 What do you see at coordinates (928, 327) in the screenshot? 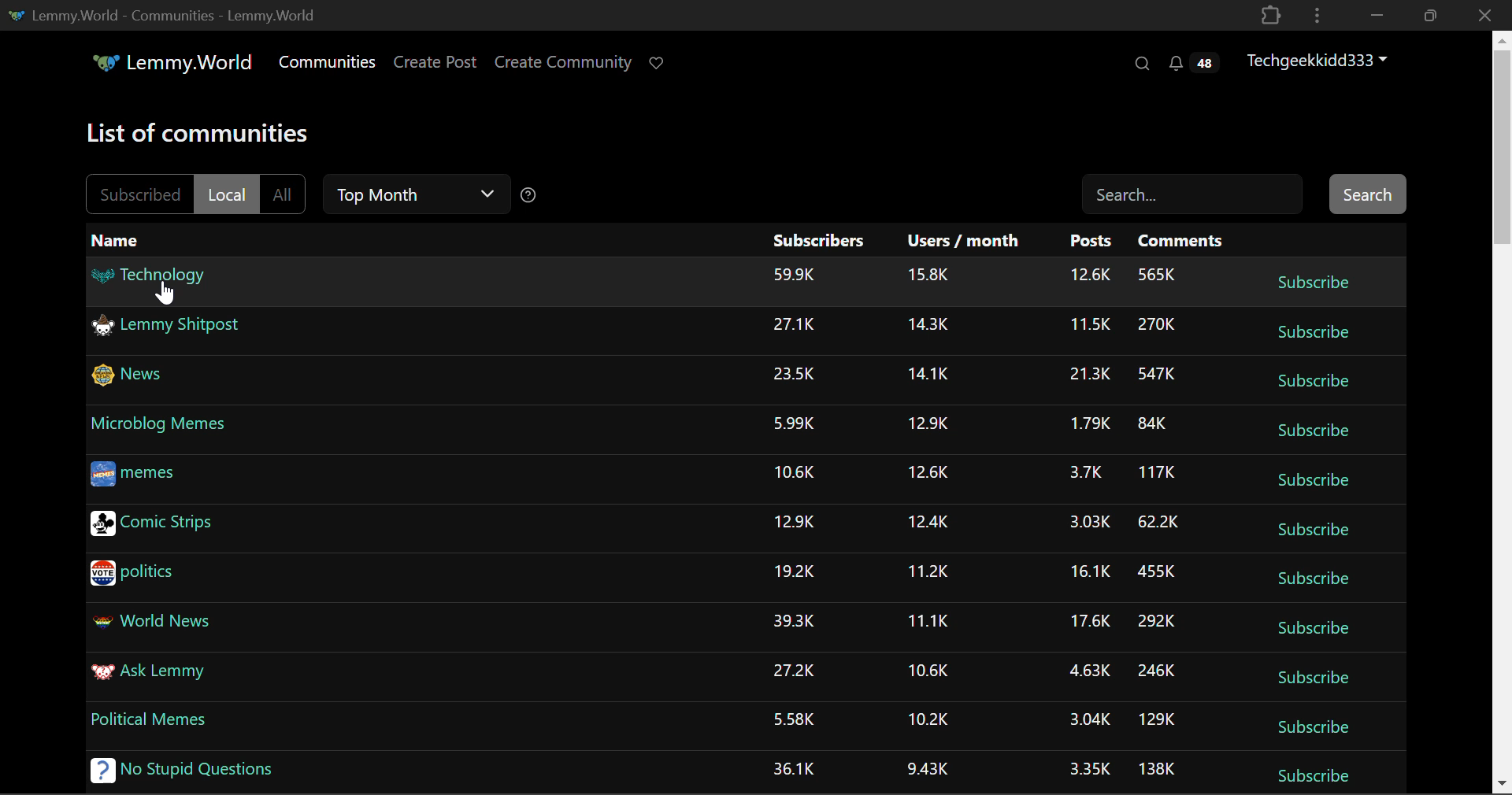
I see `Amount ` at bounding box center [928, 327].